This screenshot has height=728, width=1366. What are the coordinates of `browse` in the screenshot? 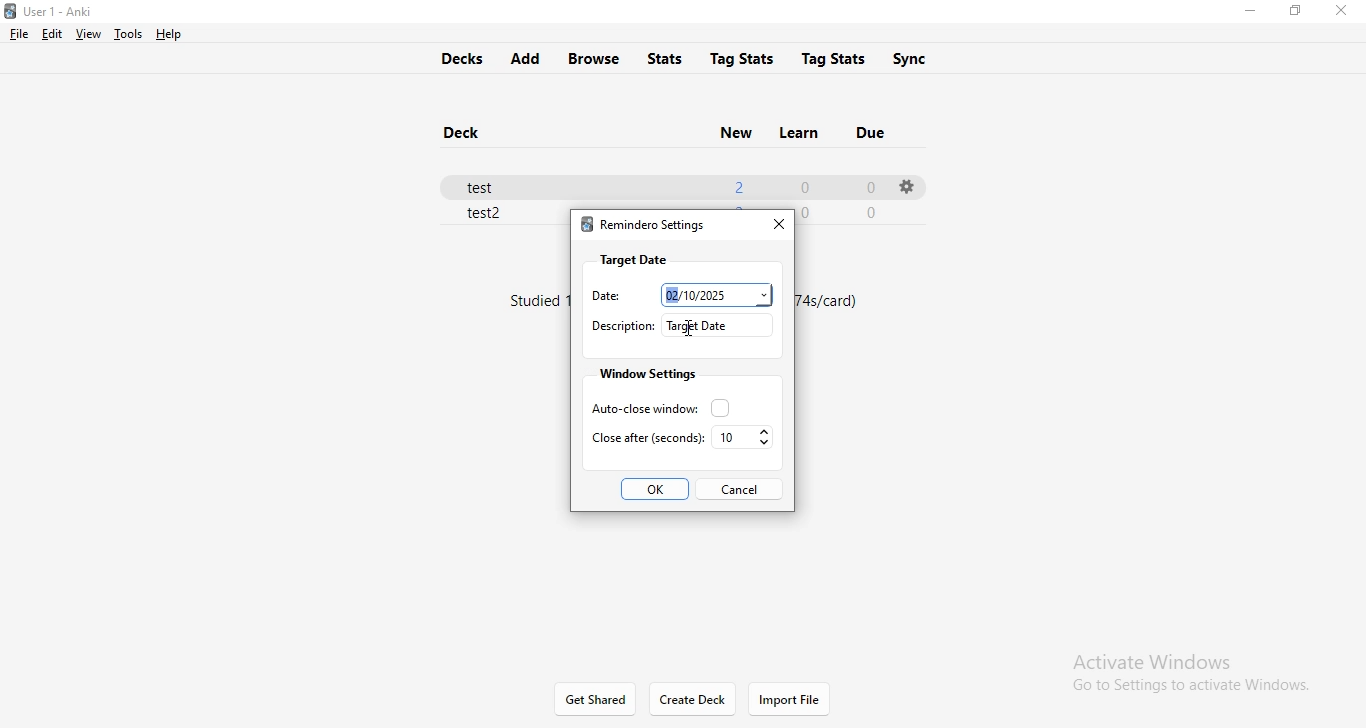 It's located at (596, 58).